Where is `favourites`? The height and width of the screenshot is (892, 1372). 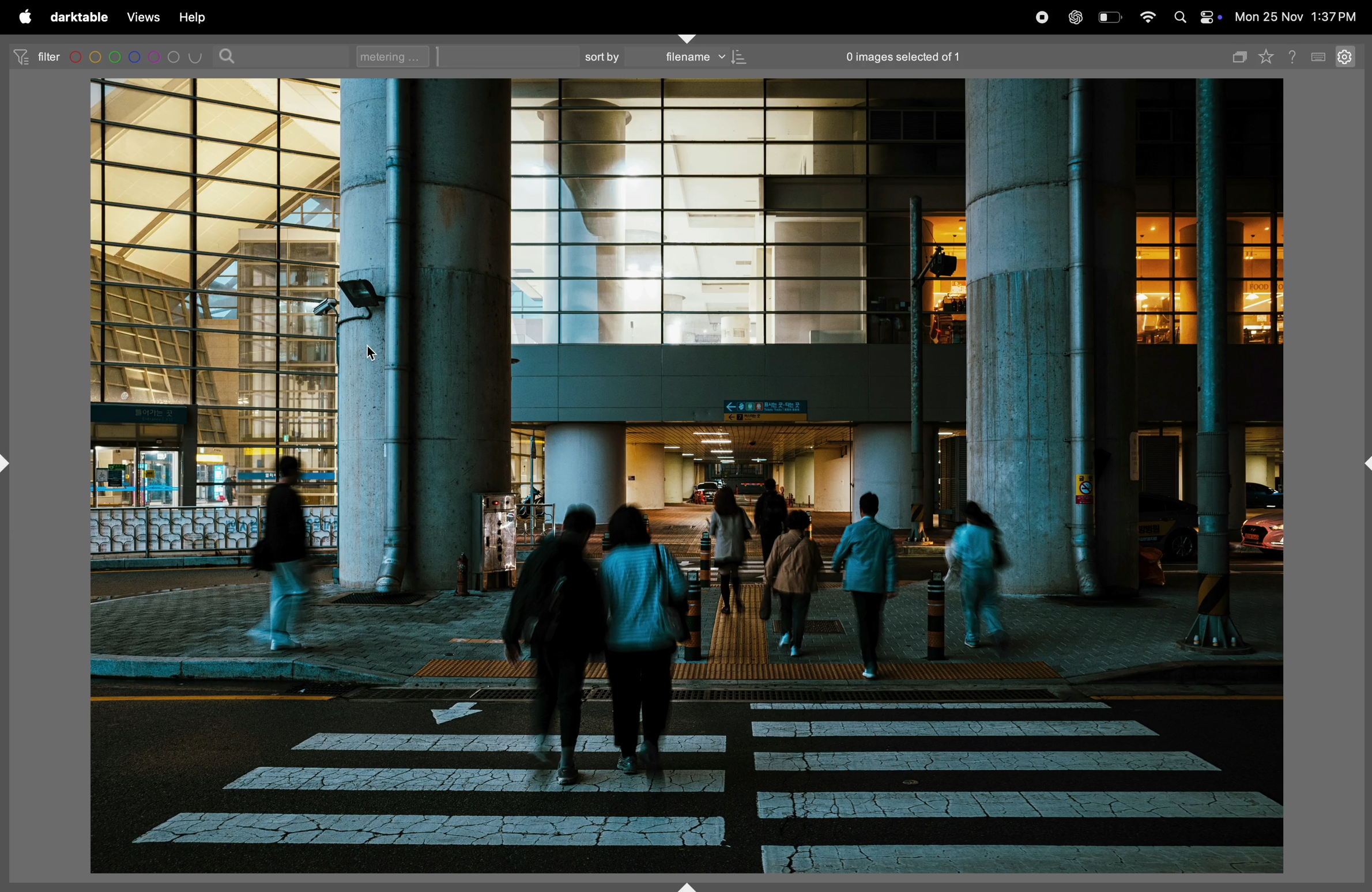
favourites is located at coordinates (1269, 58).